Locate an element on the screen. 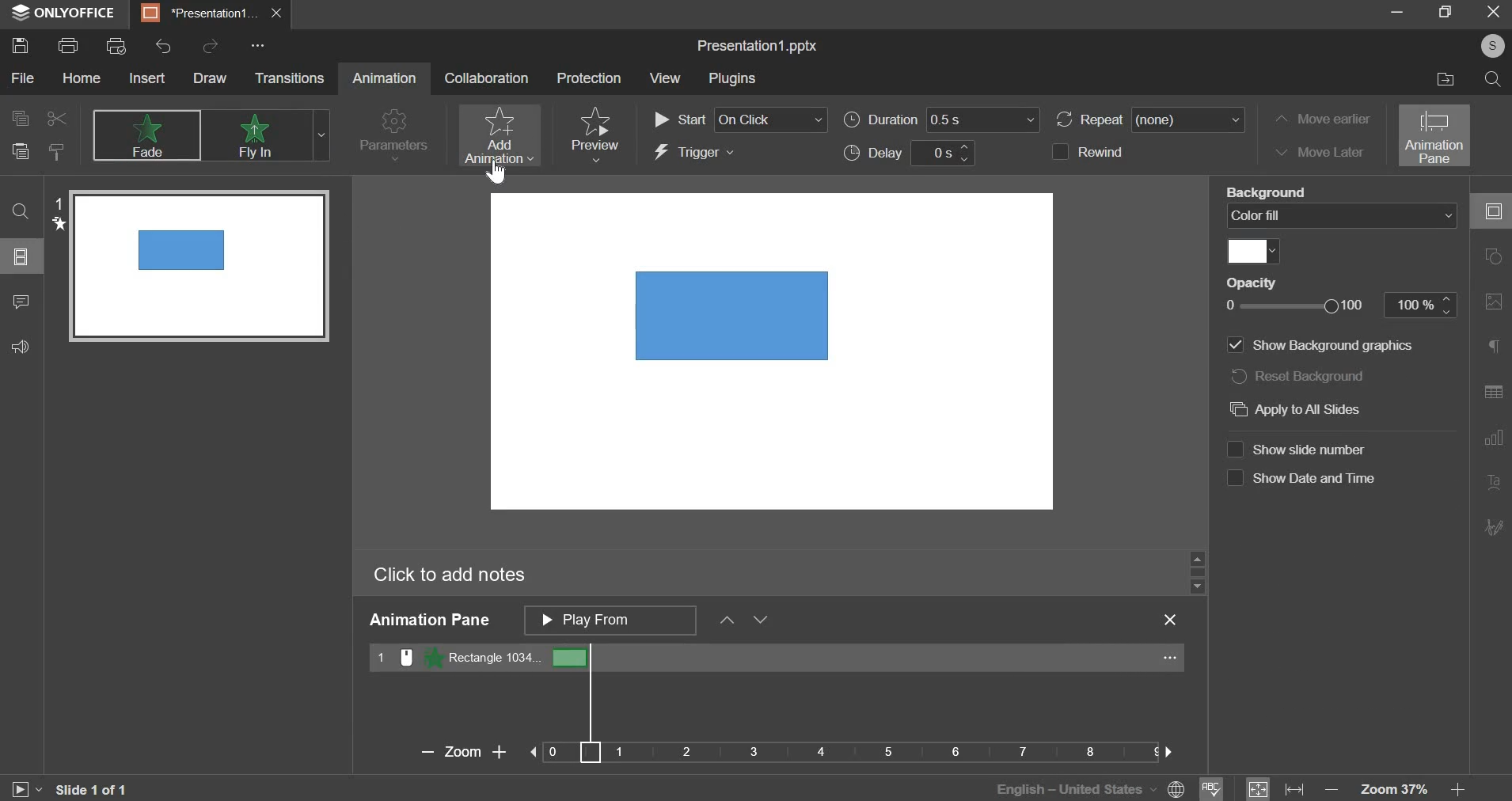  100% is located at coordinates (1418, 305).